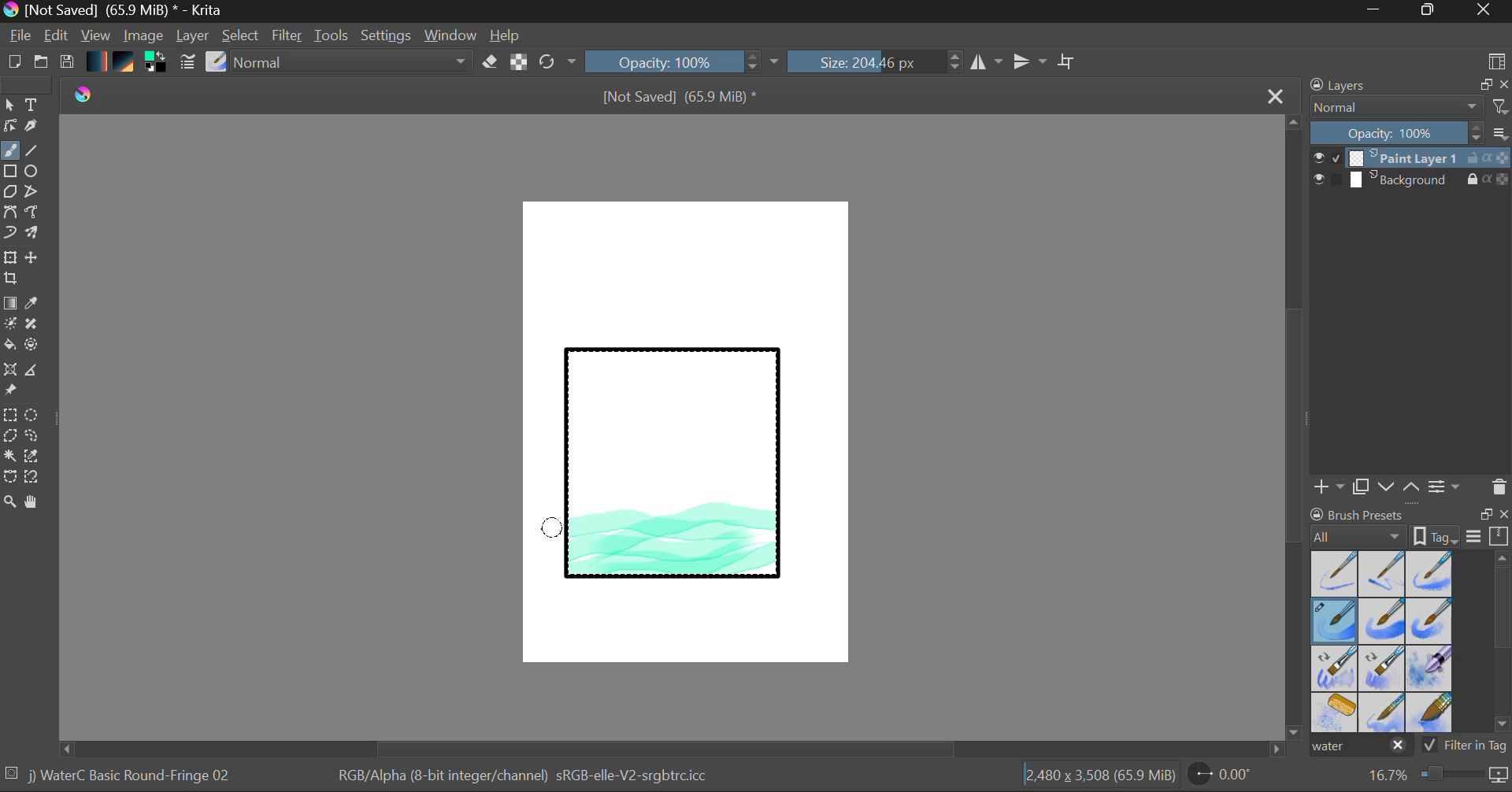 This screenshot has width=1512, height=792. Describe the element at coordinates (9, 417) in the screenshot. I see `Rectangle Selection Tool` at that location.